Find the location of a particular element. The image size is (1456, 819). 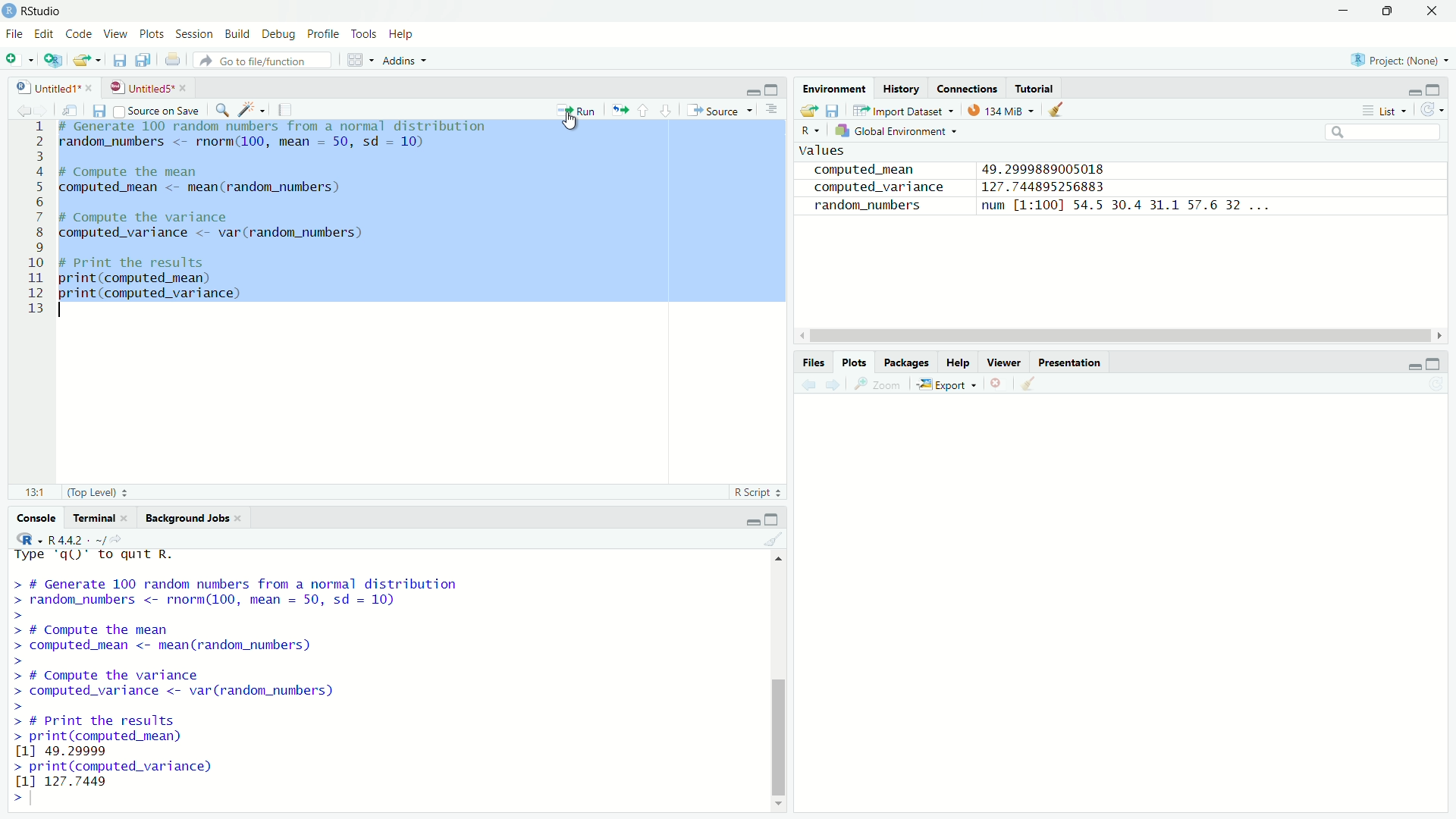

build is located at coordinates (238, 34).